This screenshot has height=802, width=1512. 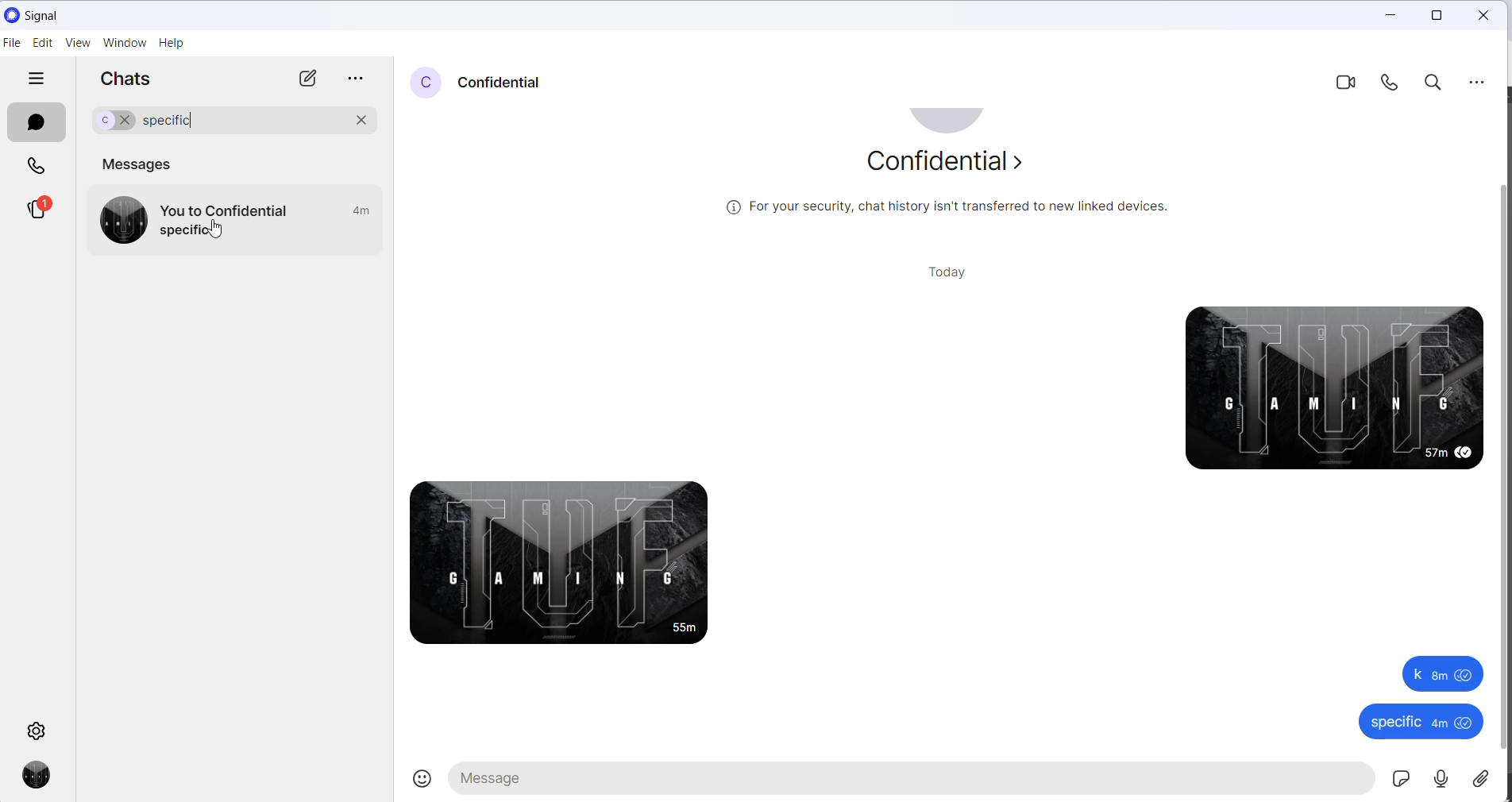 I want to click on new chats, so click(x=304, y=79).